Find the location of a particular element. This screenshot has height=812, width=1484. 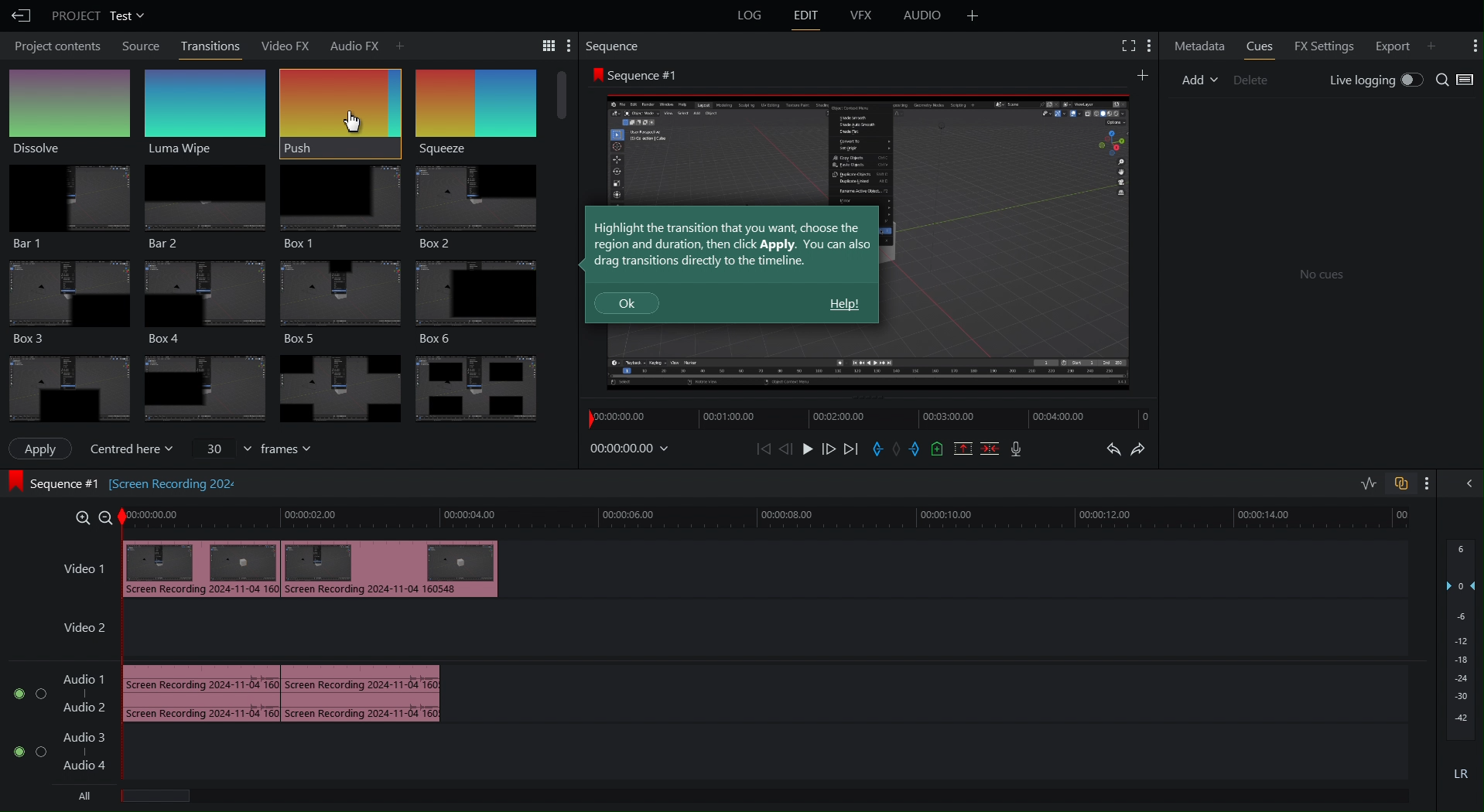

Cursor is located at coordinates (352, 121).